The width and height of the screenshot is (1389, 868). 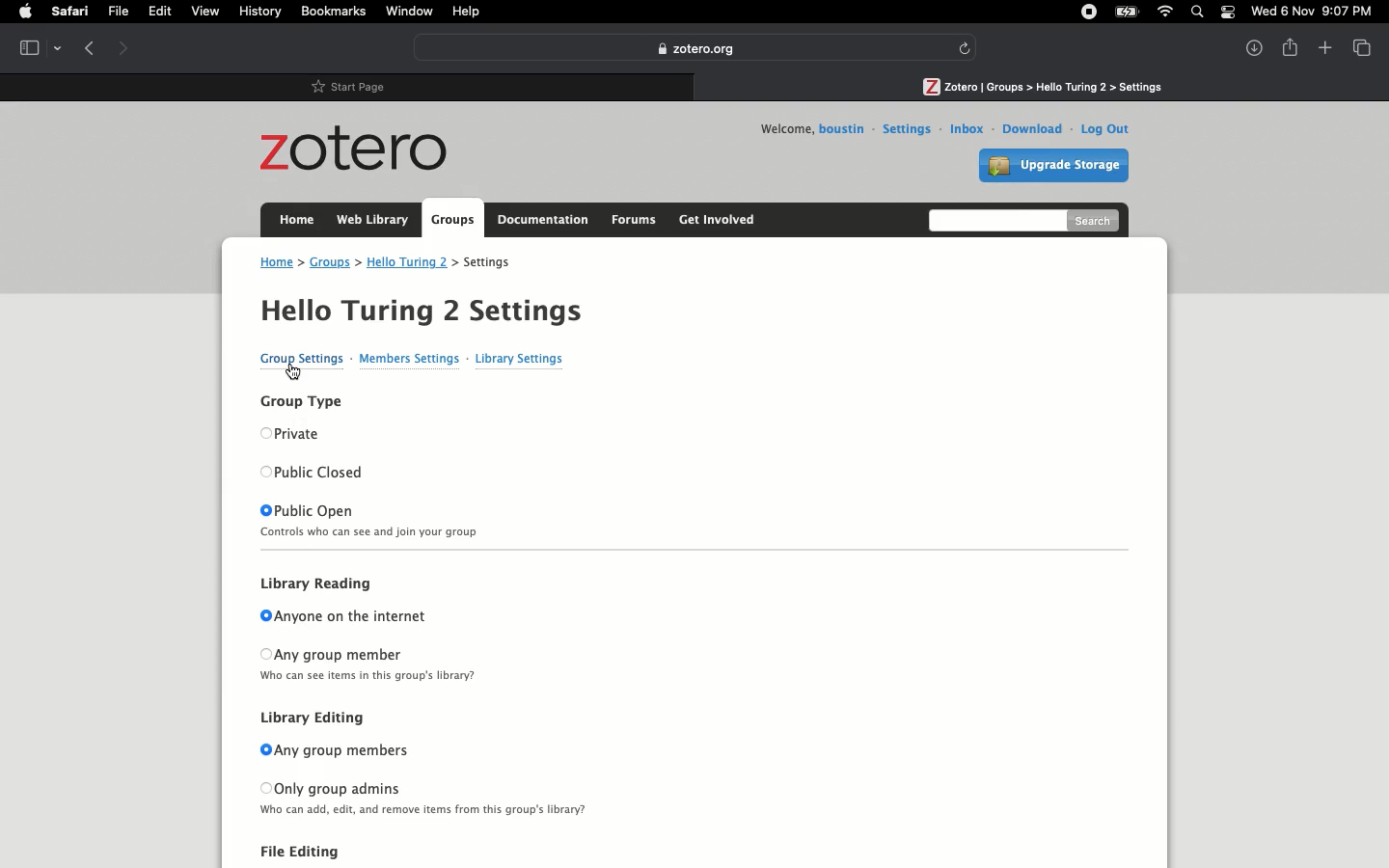 I want to click on Log out, so click(x=1103, y=128).